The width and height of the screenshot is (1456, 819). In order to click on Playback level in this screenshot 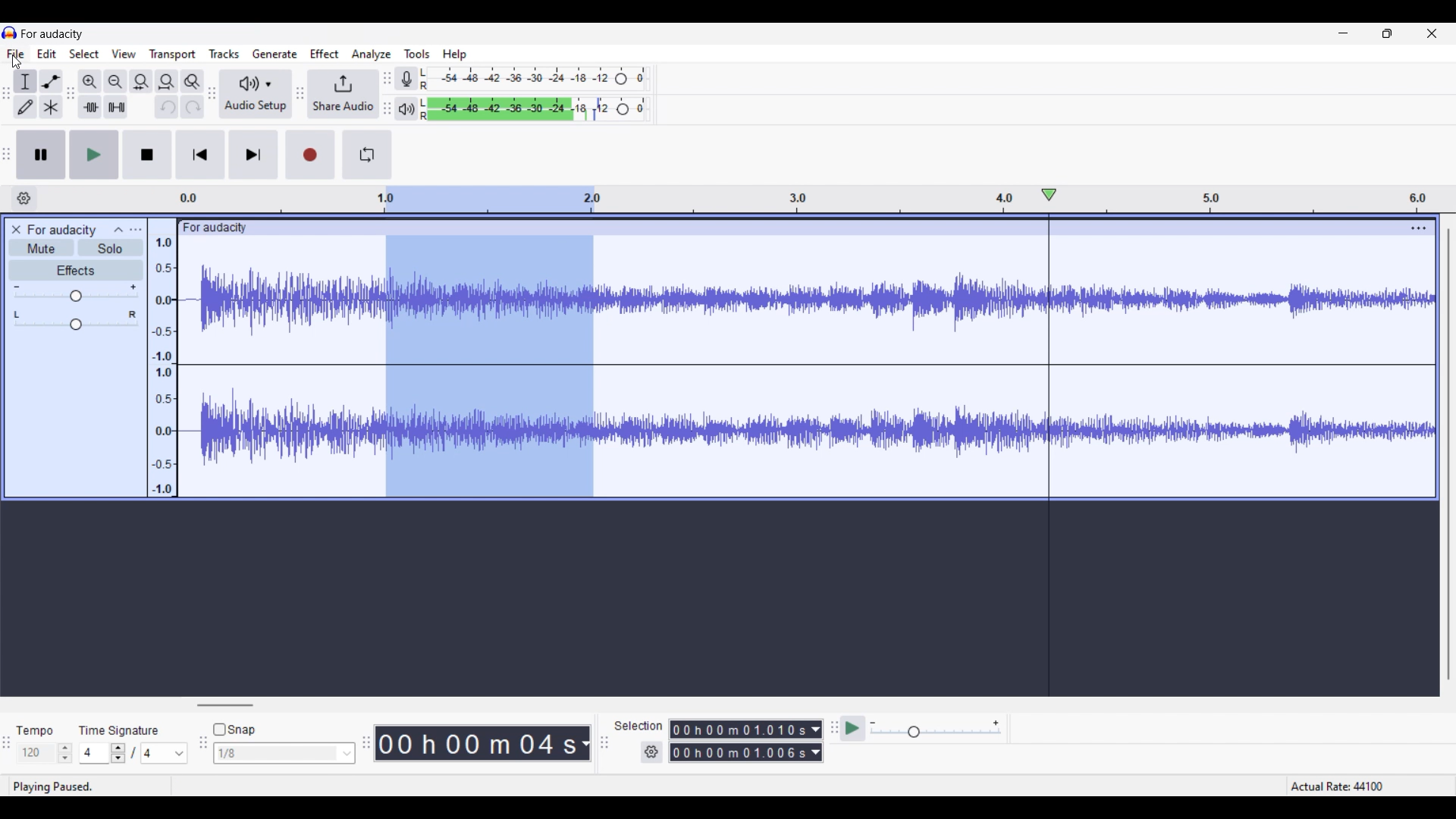, I will do `click(535, 108)`.